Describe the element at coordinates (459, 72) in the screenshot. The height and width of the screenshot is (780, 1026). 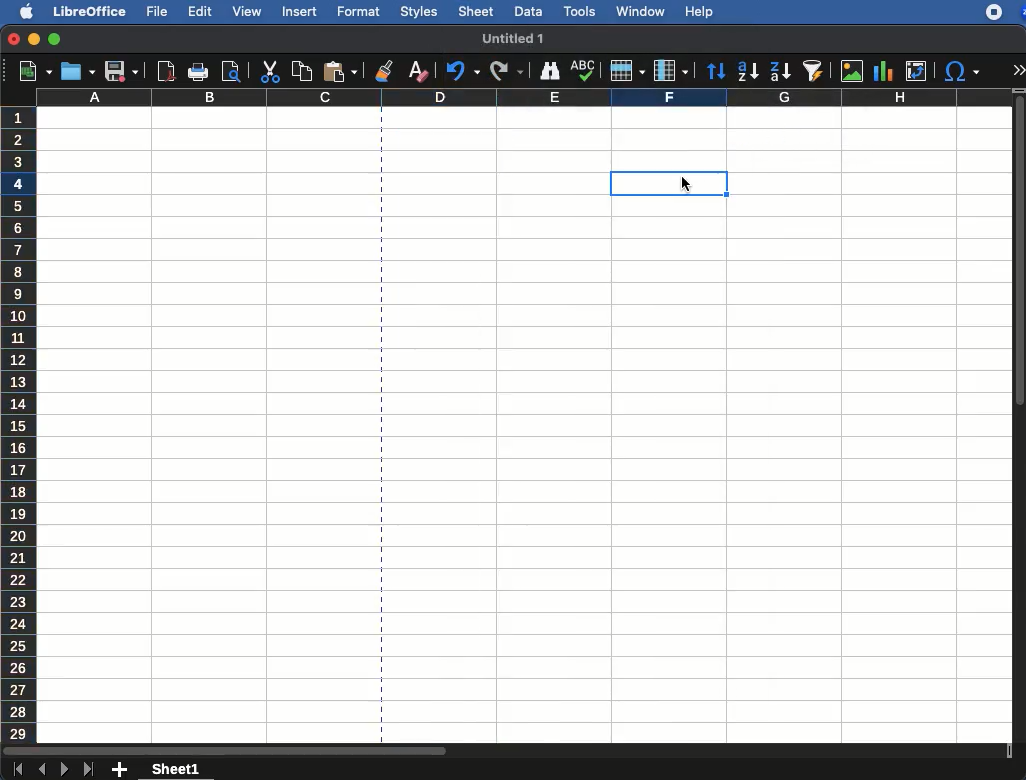
I see `undo` at that location.